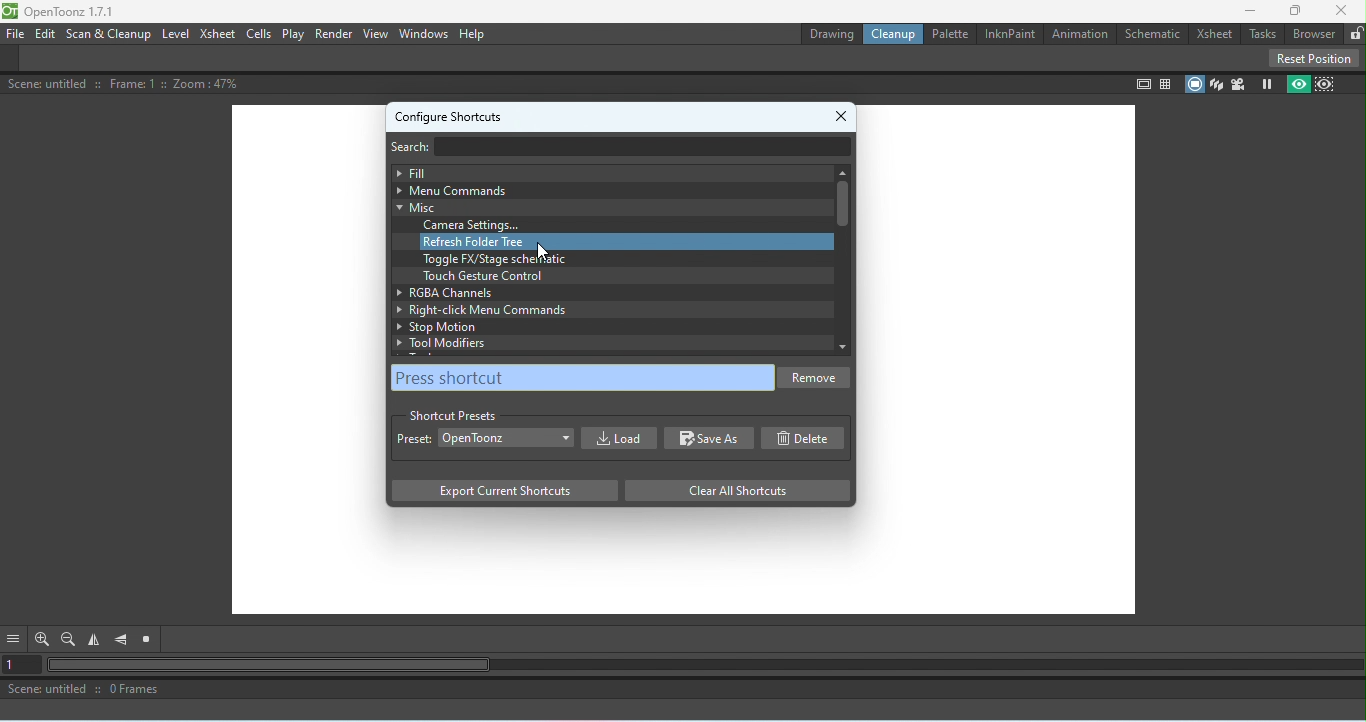  What do you see at coordinates (453, 413) in the screenshot?
I see `Shortcut presets` at bounding box center [453, 413].